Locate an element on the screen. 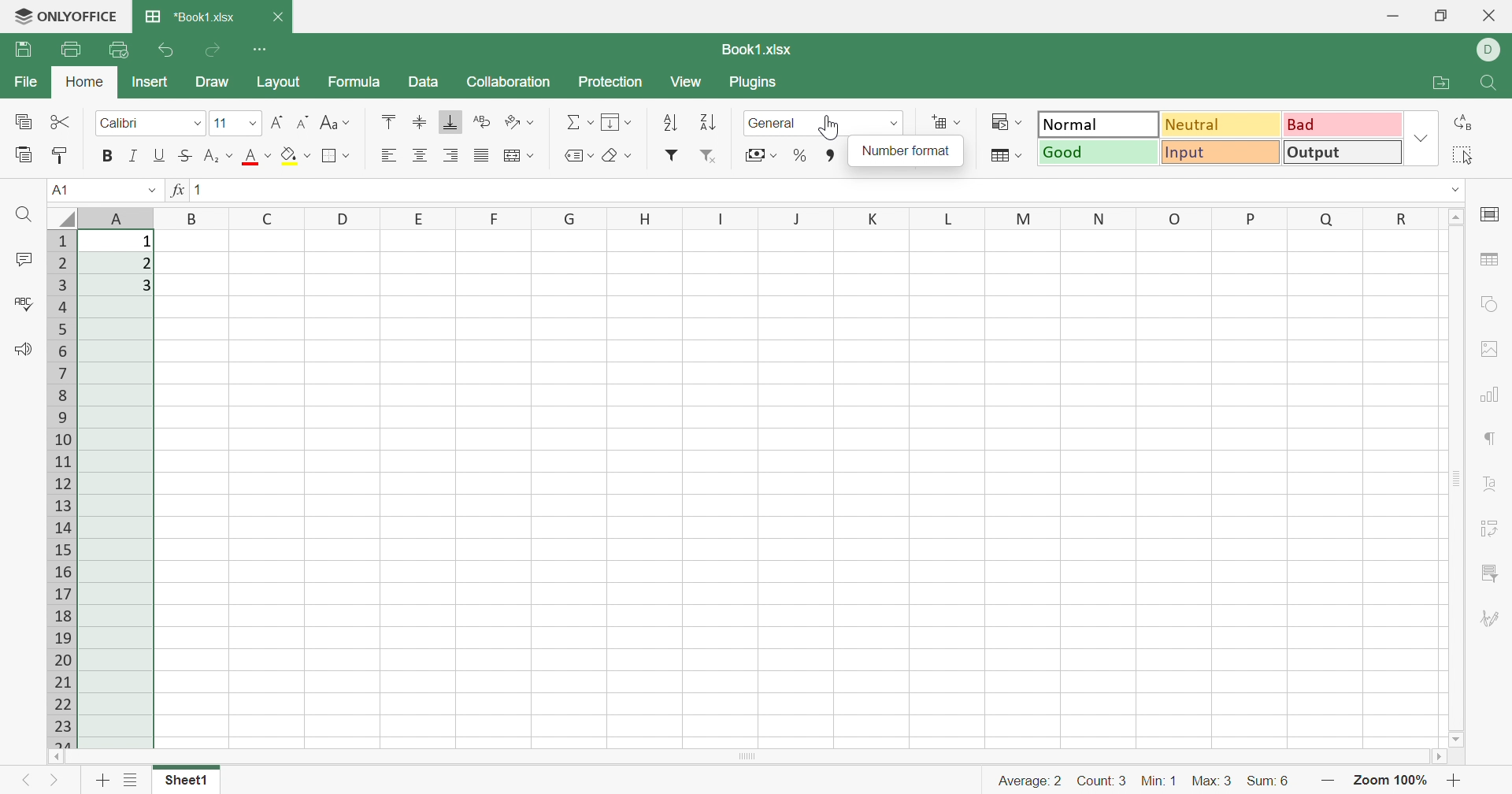 Image resolution: width=1512 pixels, height=794 pixels. Change case is located at coordinates (336, 122).